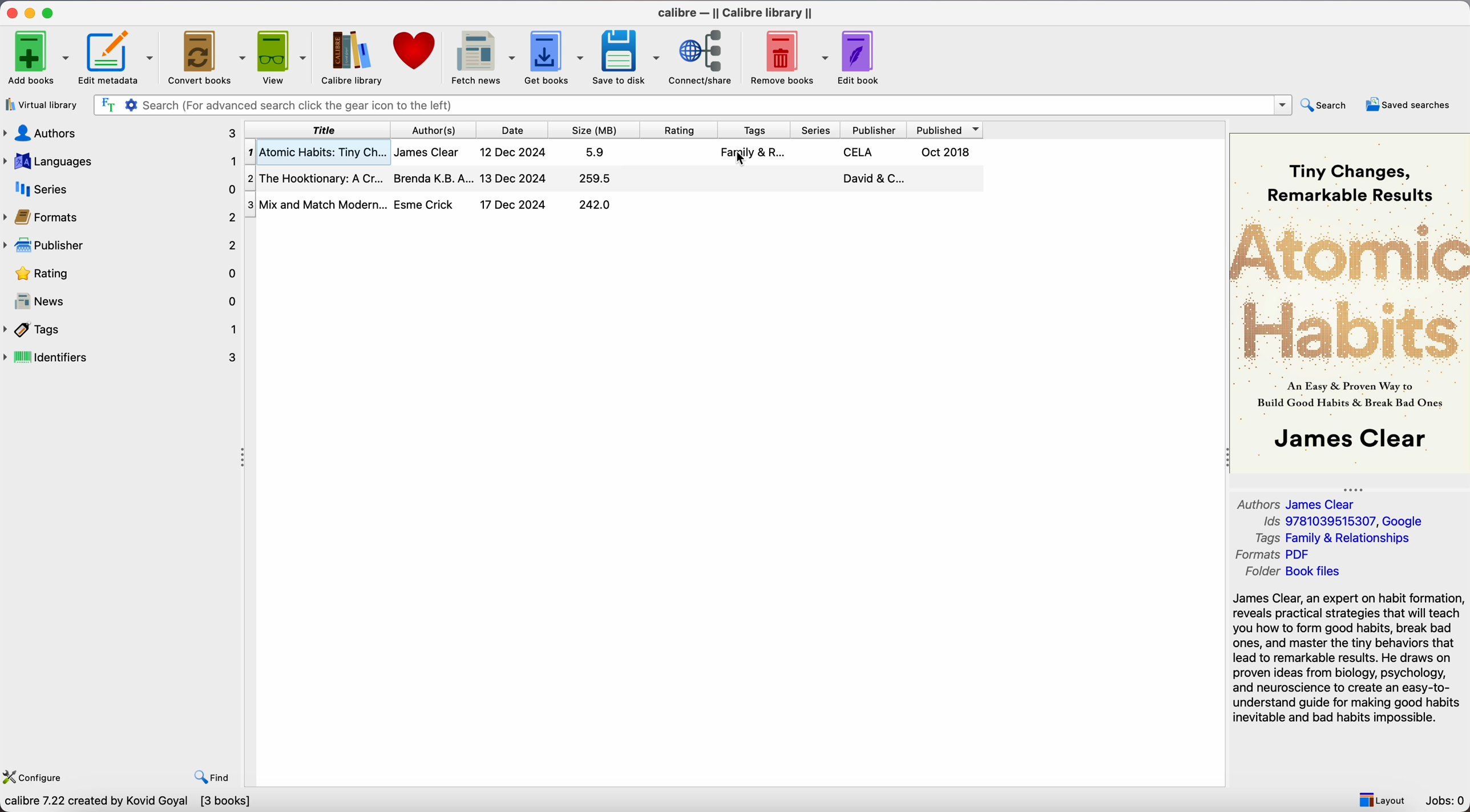 This screenshot has width=1470, height=812. I want to click on edit metadata, so click(118, 58).